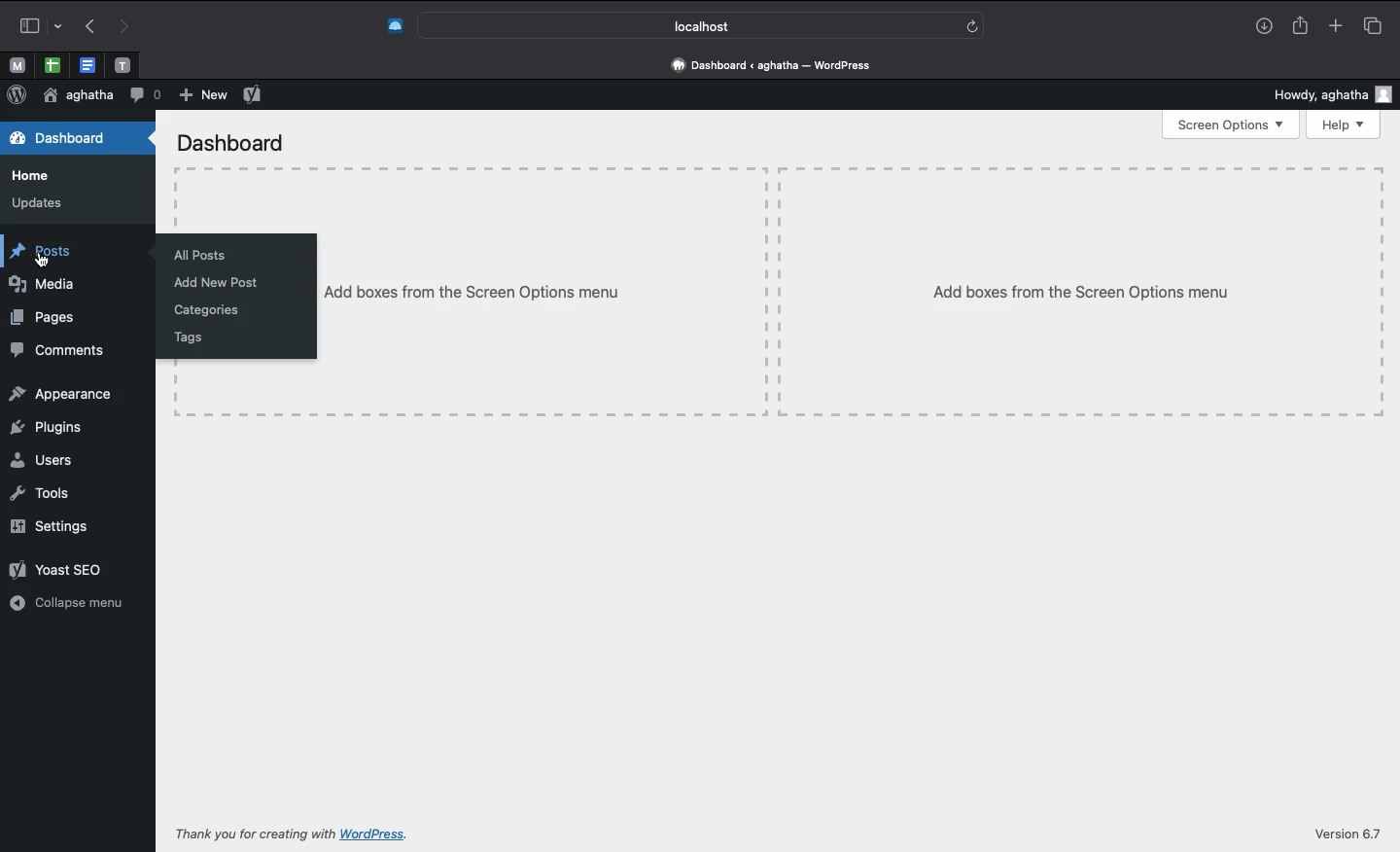  Describe the element at coordinates (1233, 124) in the screenshot. I see `Screen options` at that location.